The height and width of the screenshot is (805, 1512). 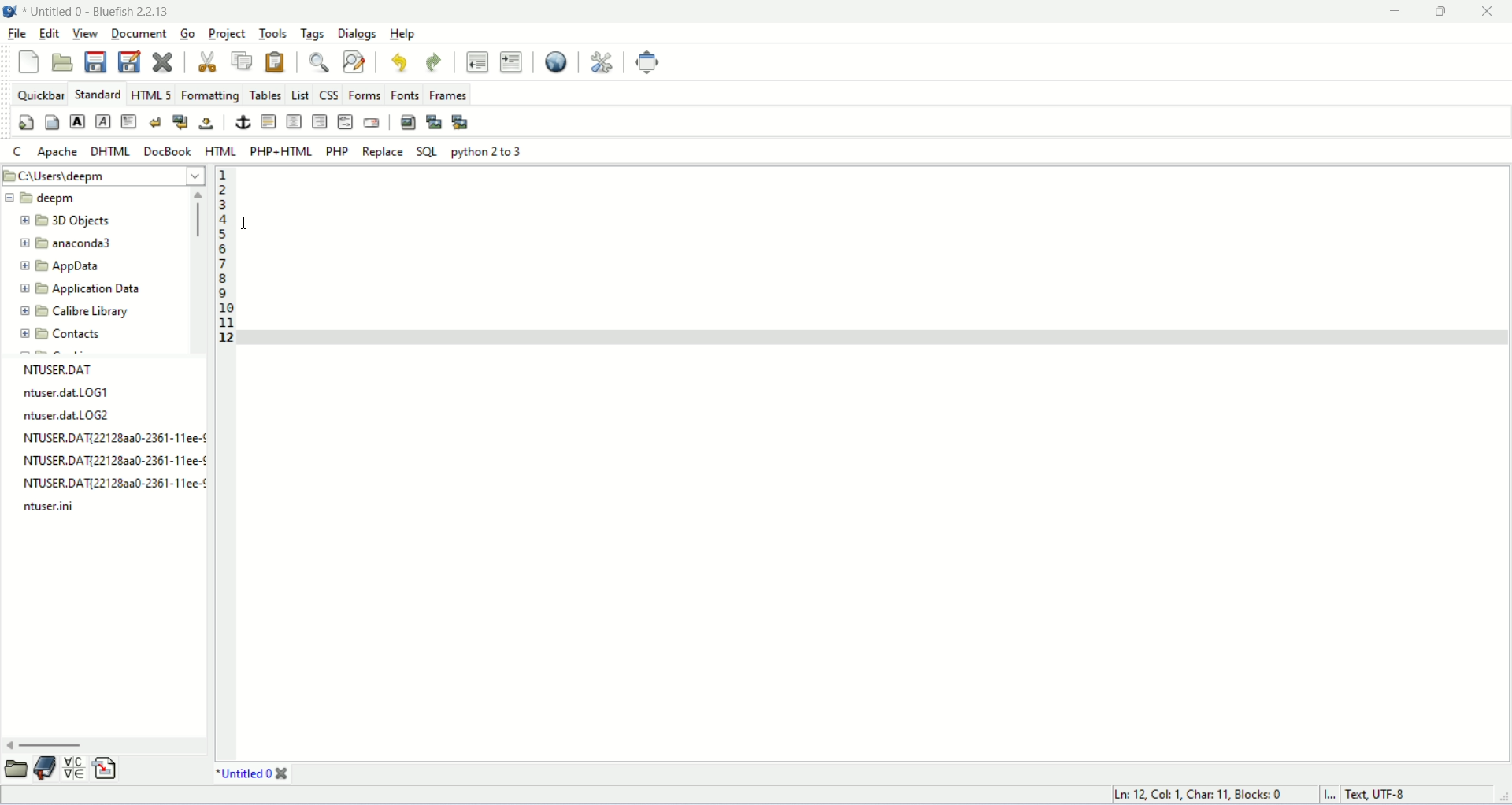 I want to click on view, so click(x=83, y=32).